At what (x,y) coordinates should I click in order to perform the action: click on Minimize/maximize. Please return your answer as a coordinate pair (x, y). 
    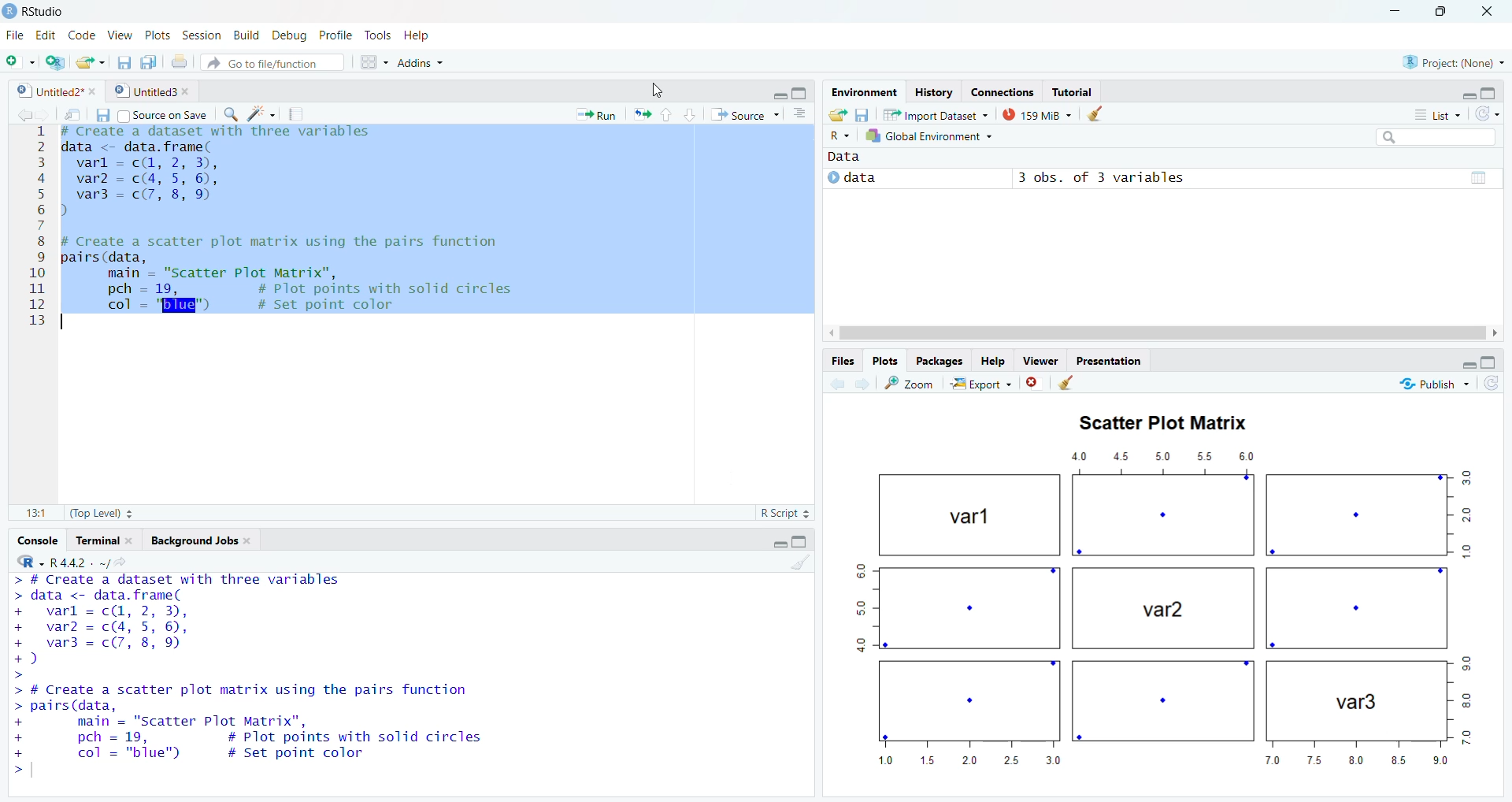
    Looking at the image, I should click on (1475, 360).